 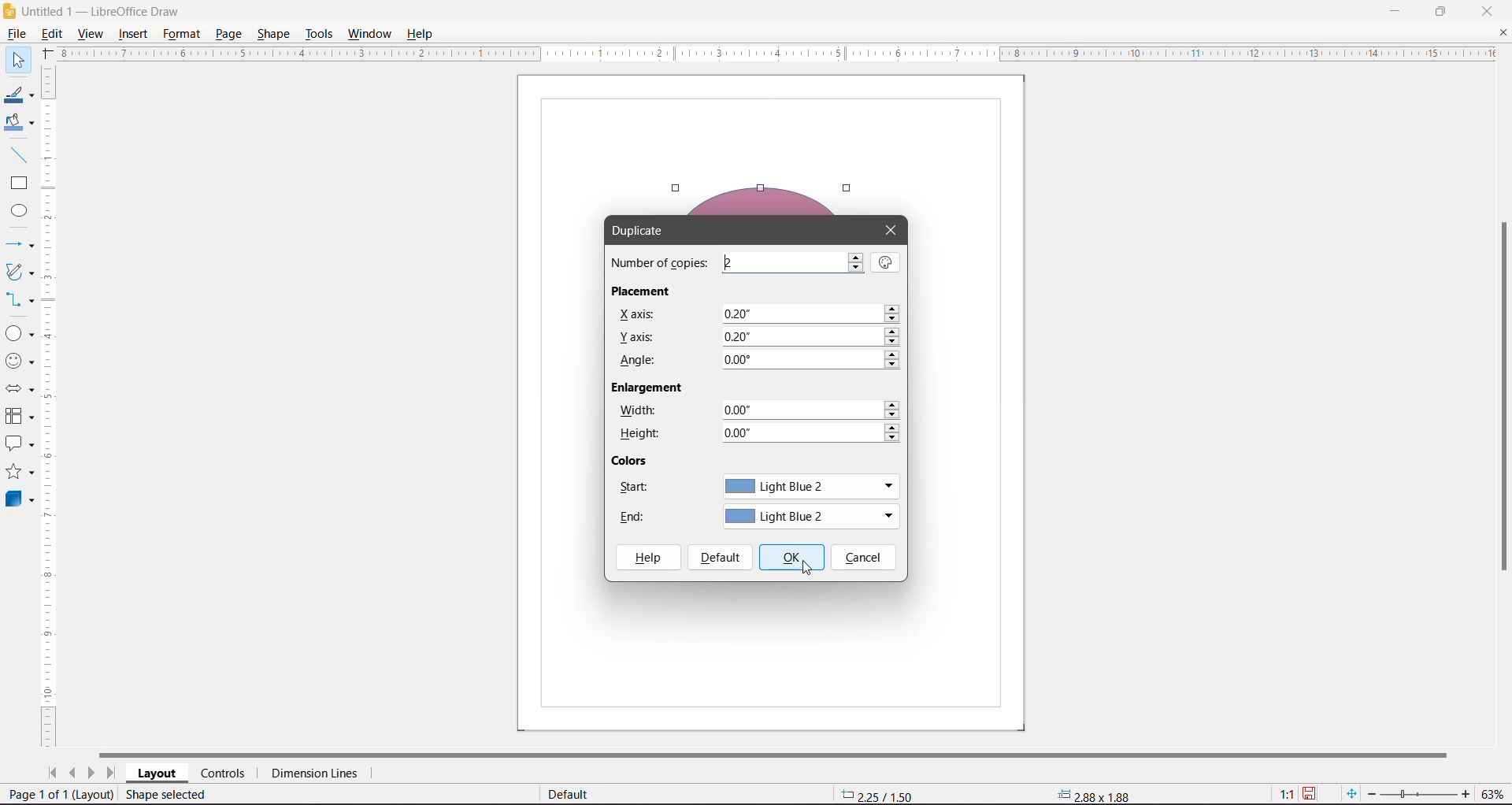 I want to click on Document Title - Application Name, so click(x=119, y=10).